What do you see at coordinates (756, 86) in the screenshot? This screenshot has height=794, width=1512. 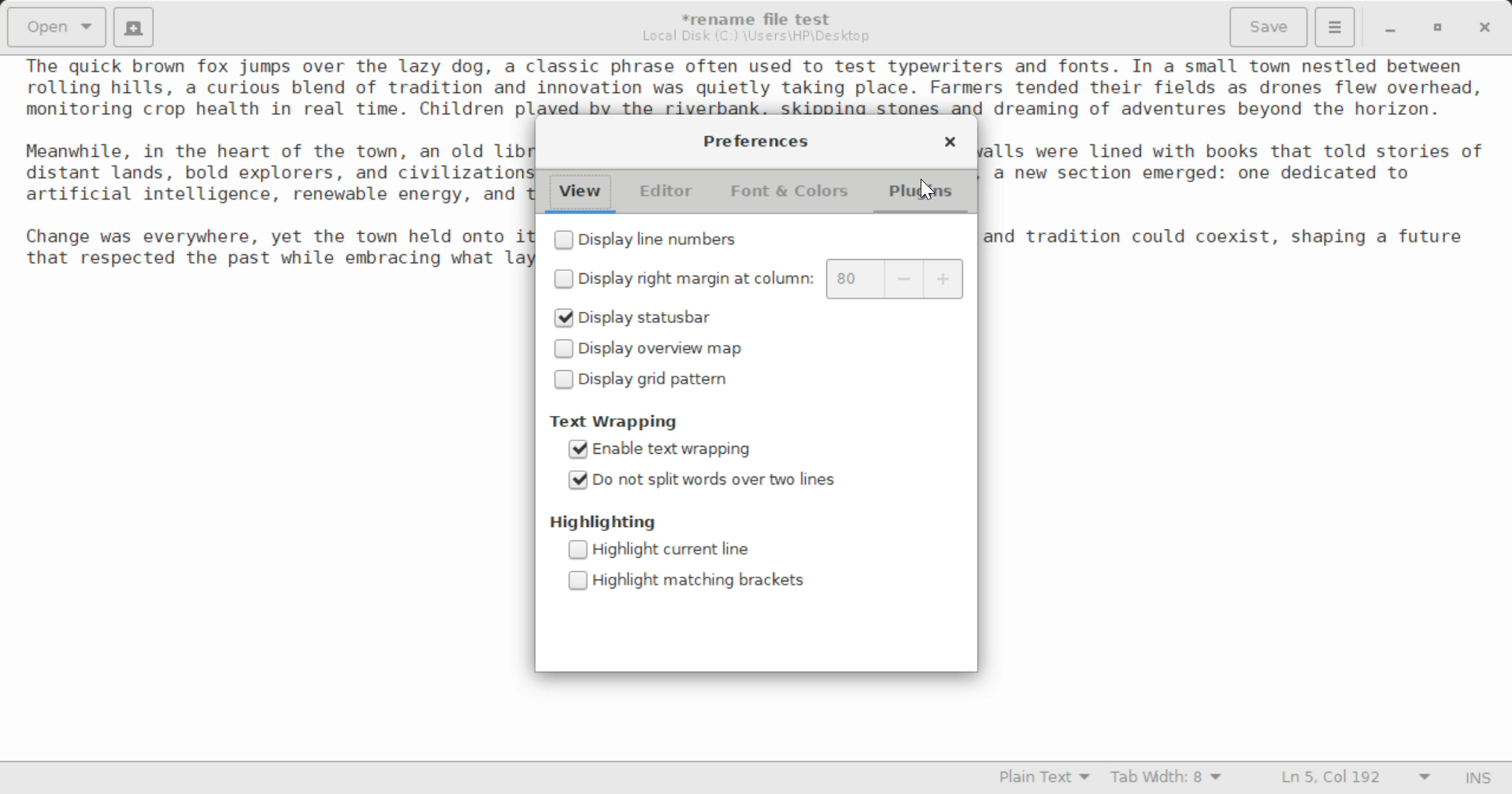 I see `Sample text about a charming town` at bounding box center [756, 86].